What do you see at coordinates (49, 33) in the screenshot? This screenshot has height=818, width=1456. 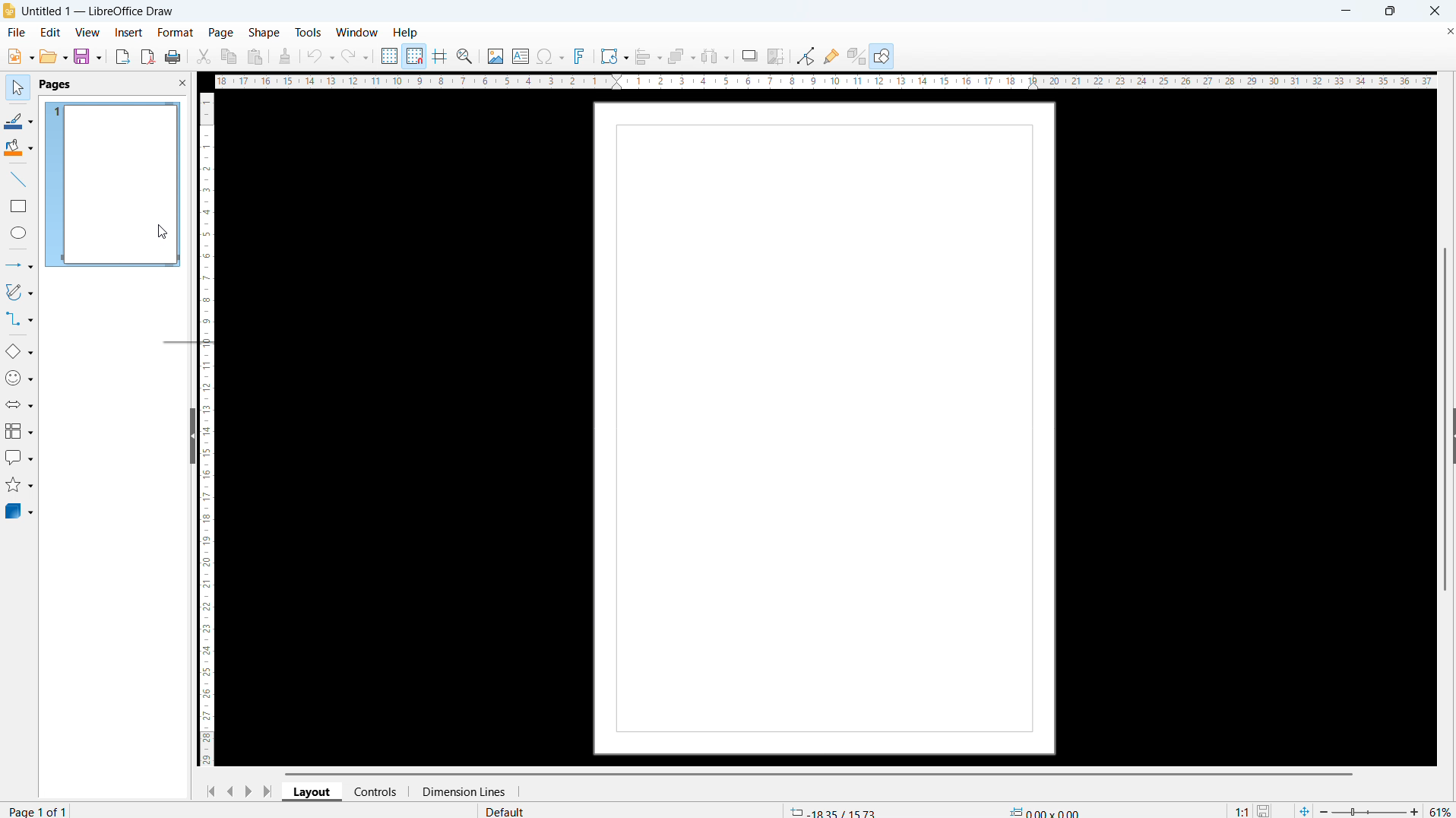 I see `edit` at bounding box center [49, 33].